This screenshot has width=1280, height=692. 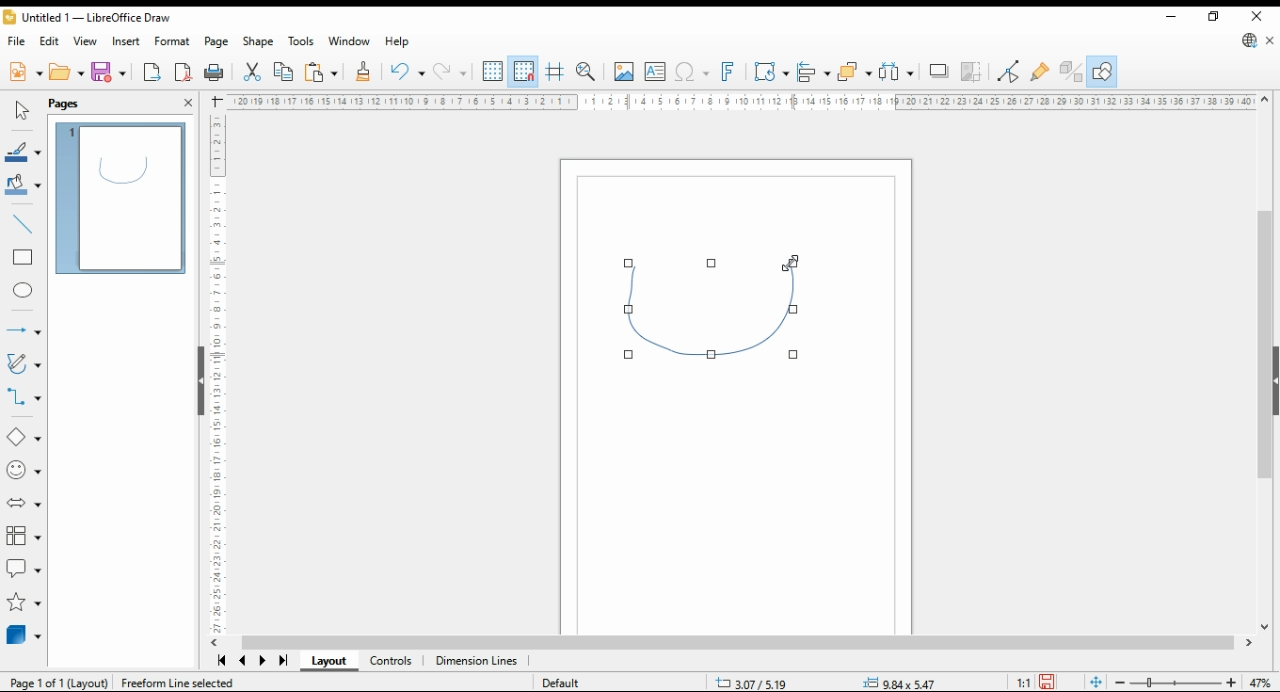 I want to click on shape, so click(x=257, y=41).